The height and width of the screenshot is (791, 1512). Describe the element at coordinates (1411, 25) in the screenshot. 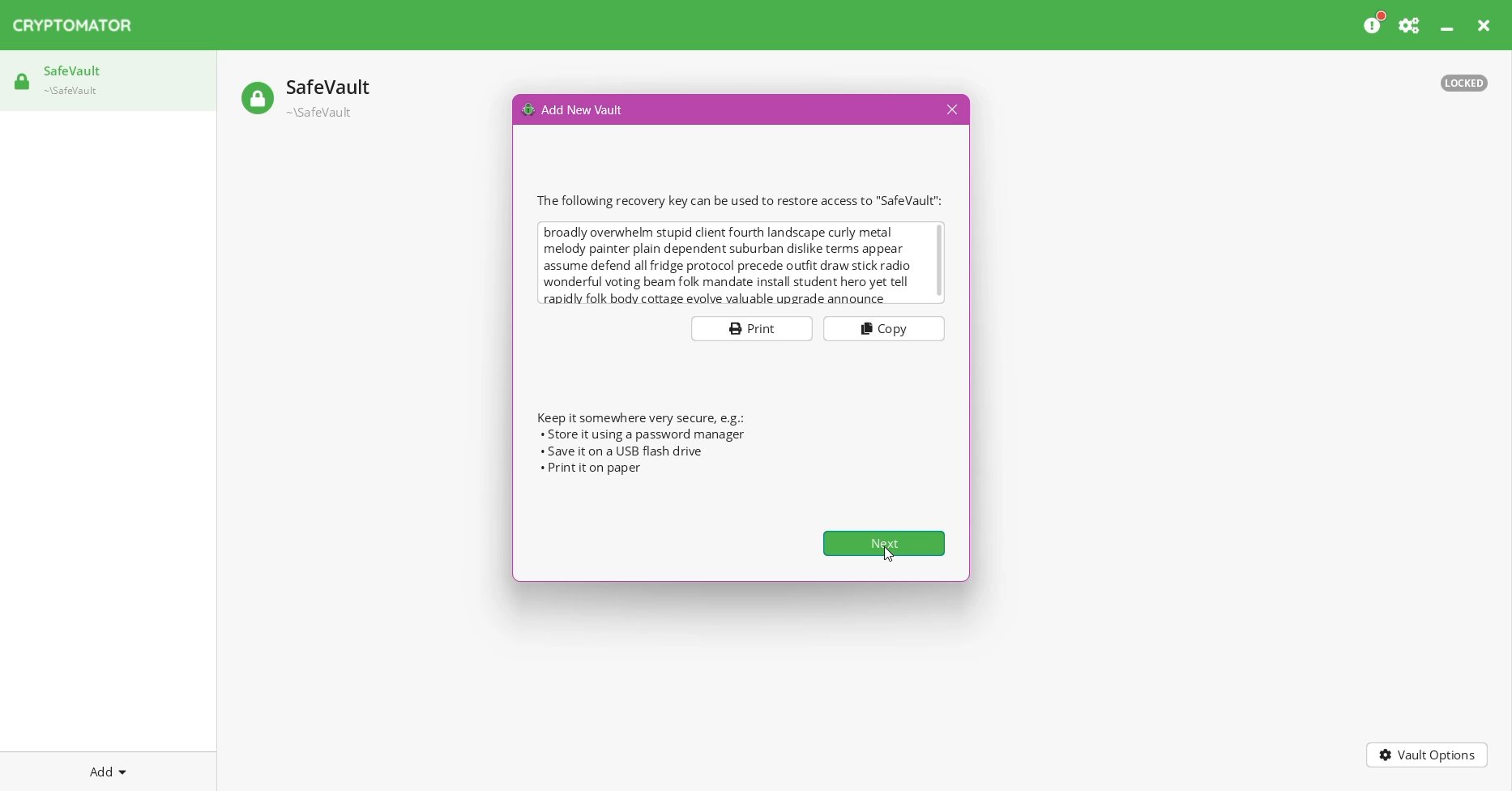

I see `Preferences` at that location.